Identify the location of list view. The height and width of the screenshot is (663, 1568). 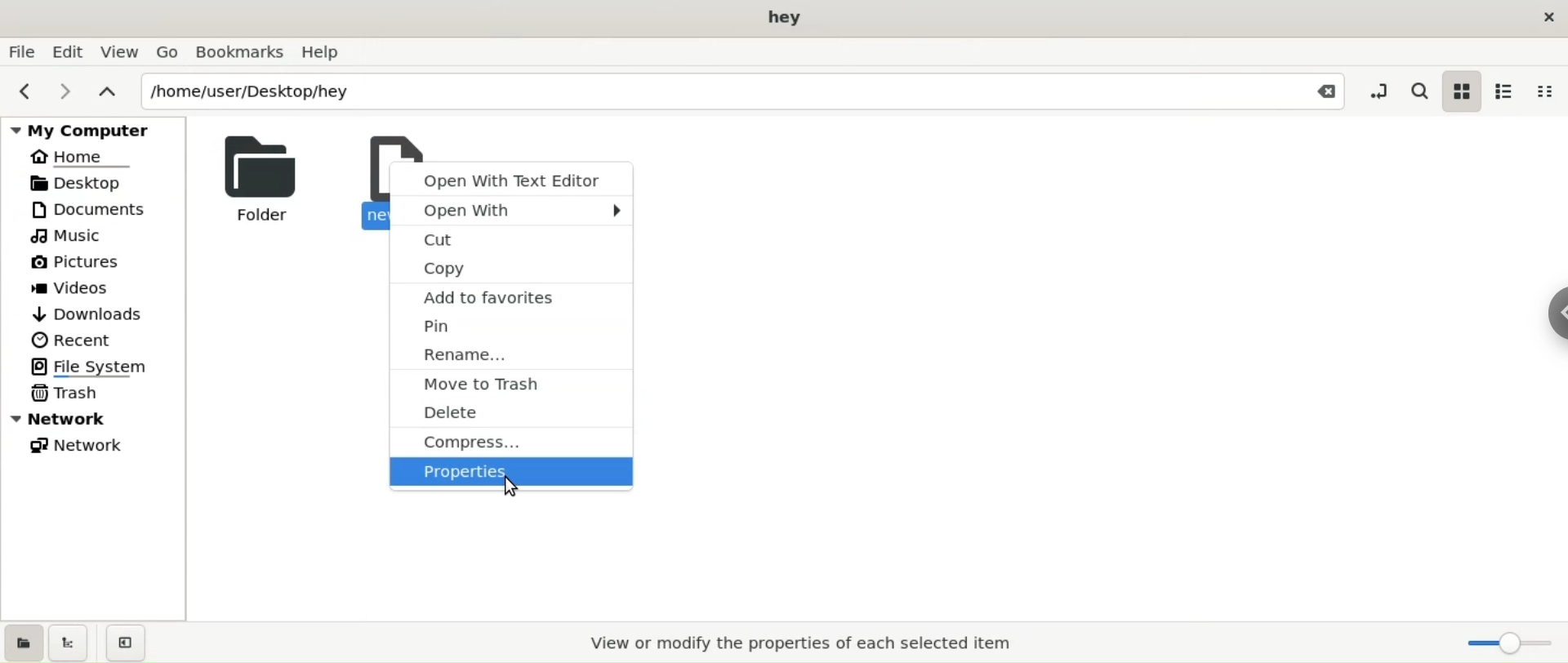
(1503, 89).